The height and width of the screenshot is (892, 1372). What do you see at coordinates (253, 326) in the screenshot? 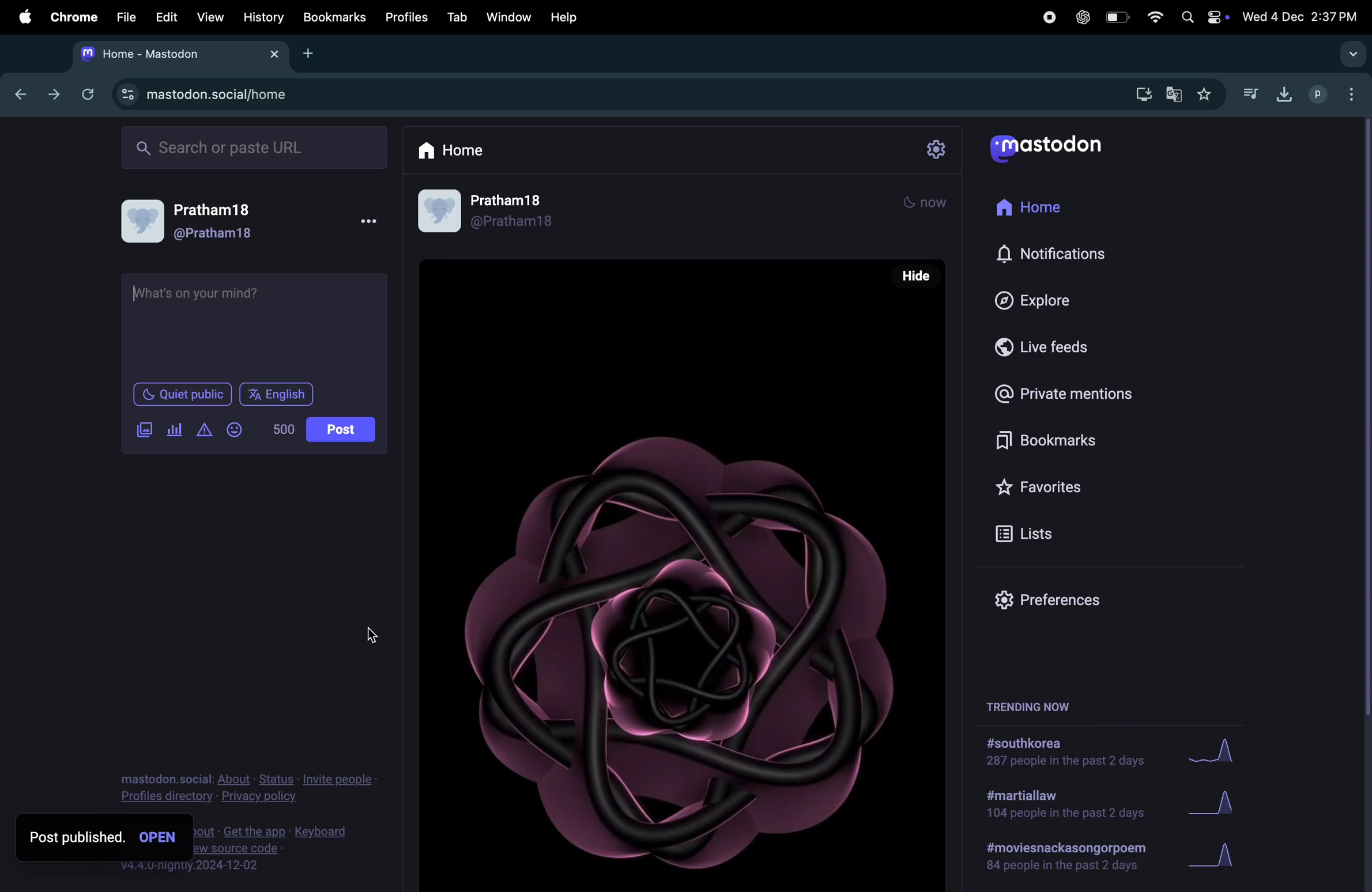
I see `text box` at bounding box center [253, 326].